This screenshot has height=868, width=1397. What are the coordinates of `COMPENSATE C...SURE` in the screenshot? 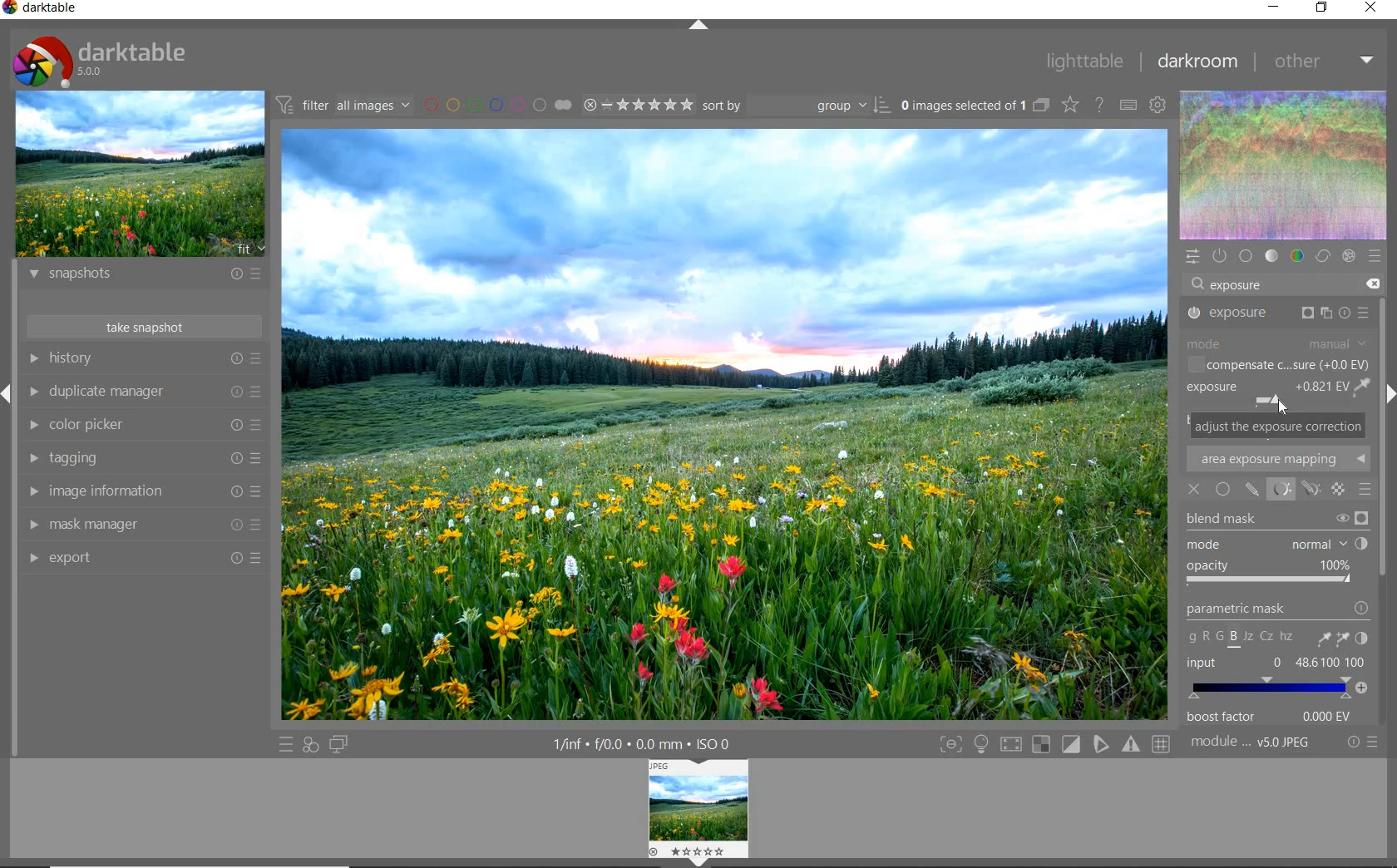 It's located at (1275, 365).